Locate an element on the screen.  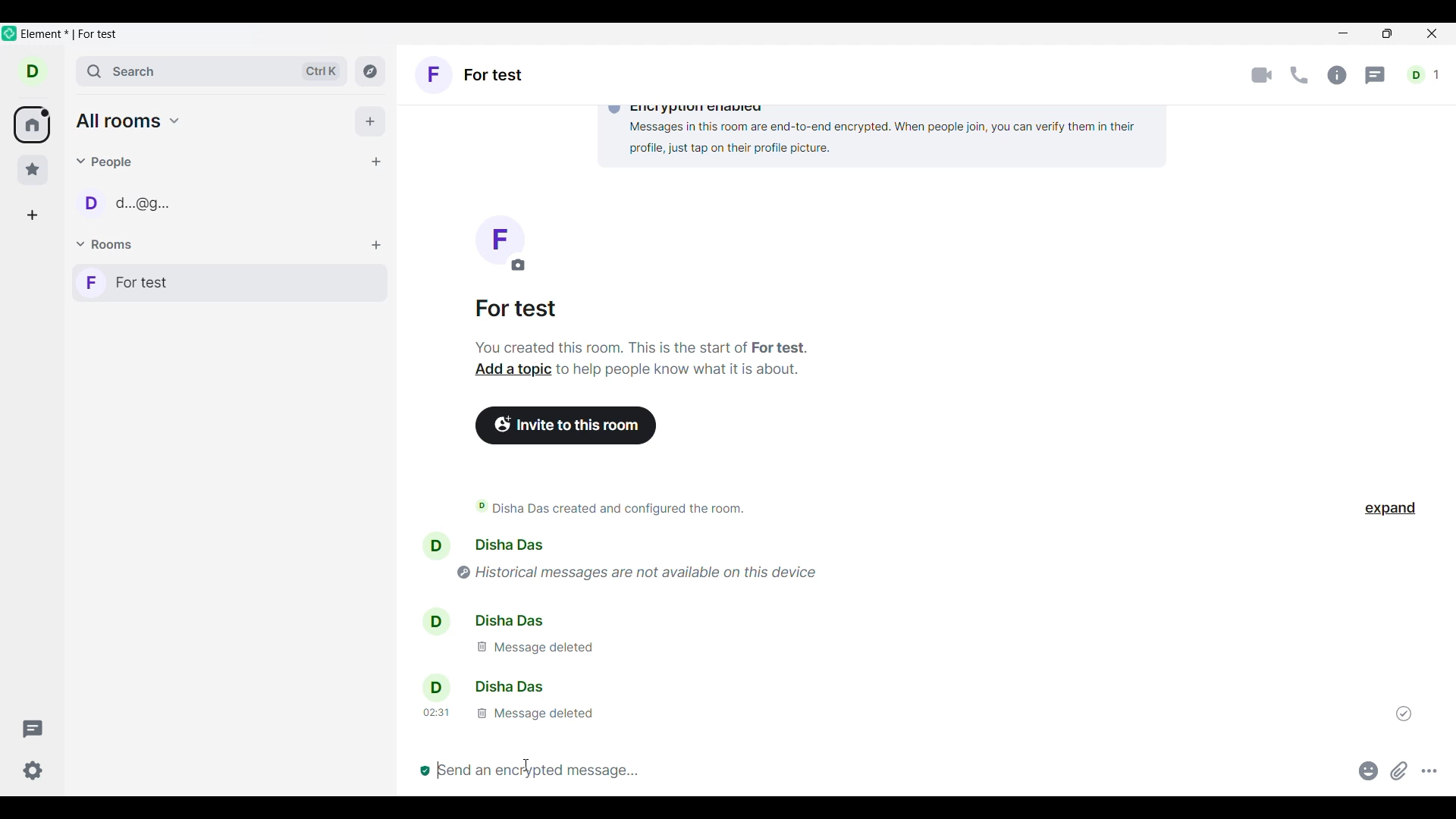
For test   You created this room. This is the start of a room of for test is located at coordinates (642, 328).